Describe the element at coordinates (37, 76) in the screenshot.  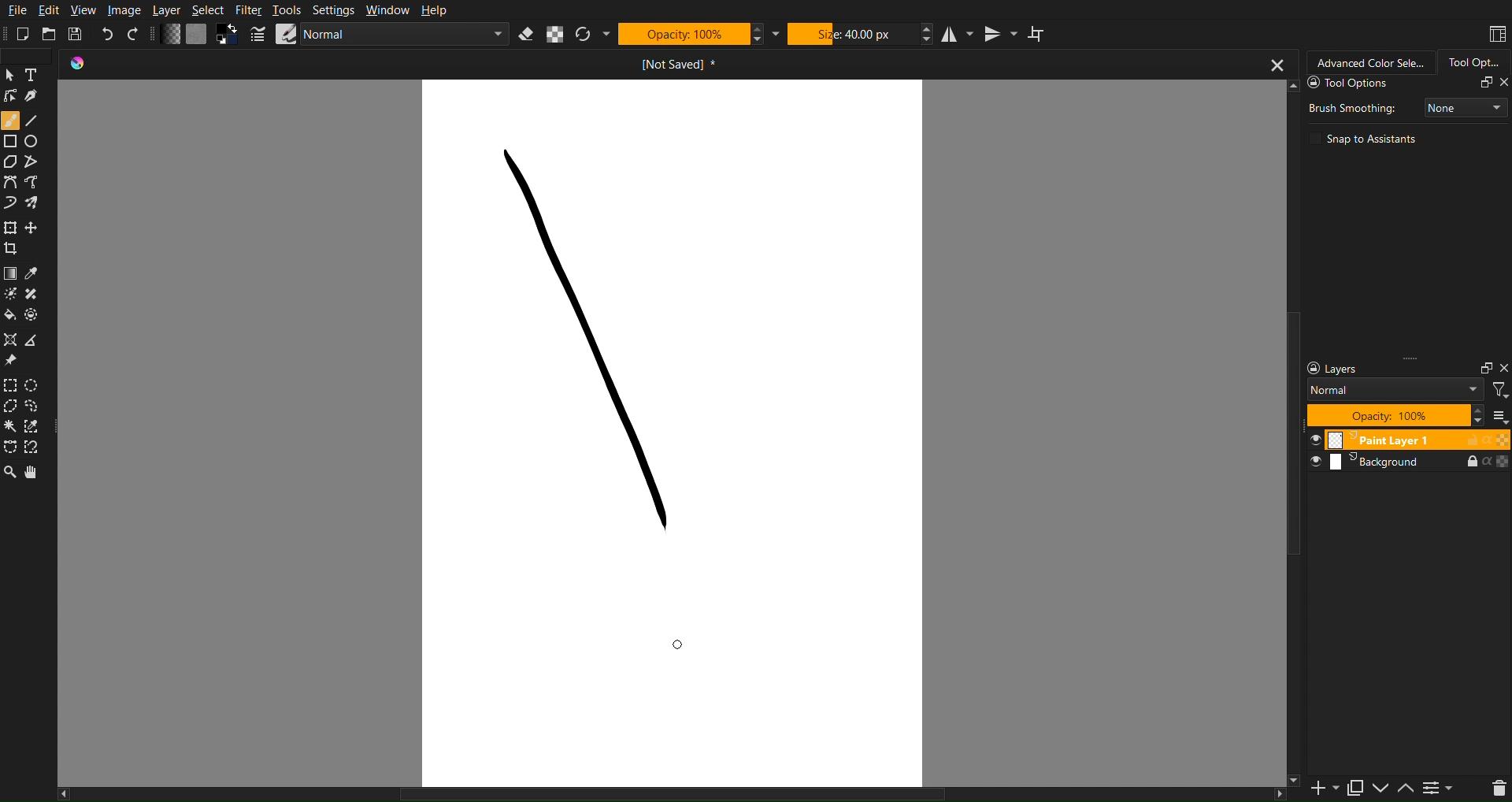
I see `Text` at that location.